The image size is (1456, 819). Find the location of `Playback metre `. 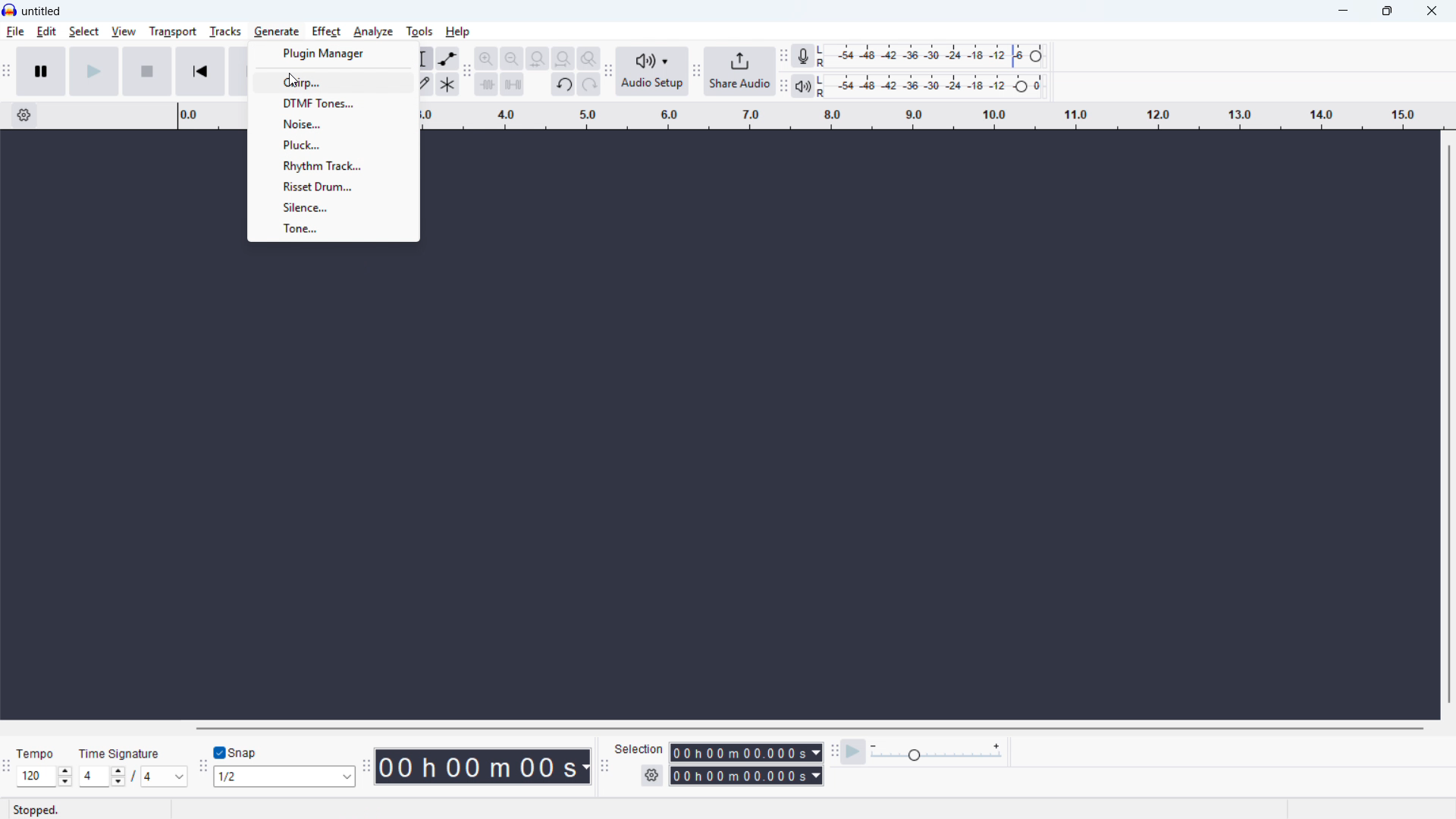

Playback metre  is located at coordinates (803, 86).